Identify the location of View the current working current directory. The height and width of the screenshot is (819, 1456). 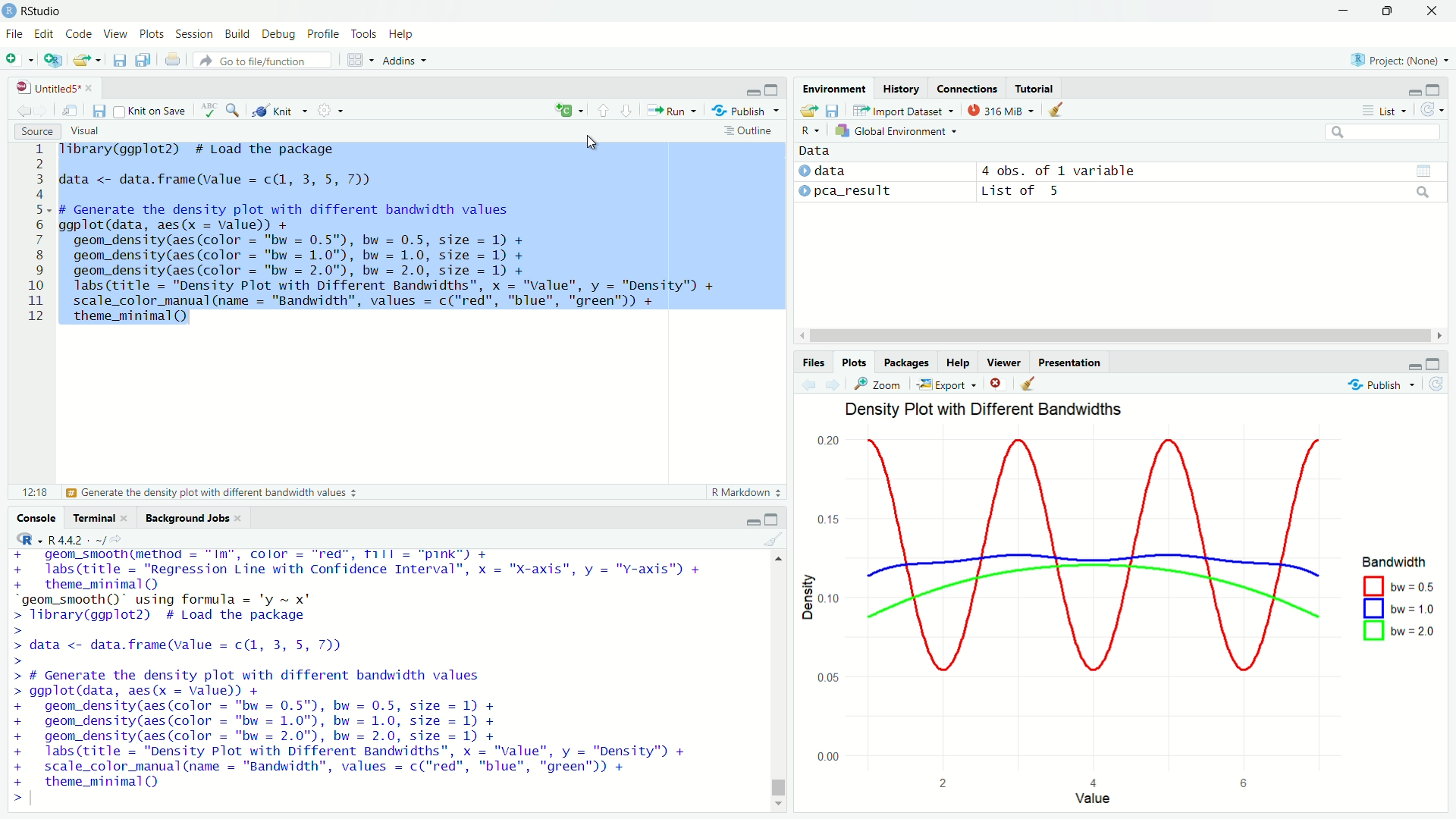
(117, 538).